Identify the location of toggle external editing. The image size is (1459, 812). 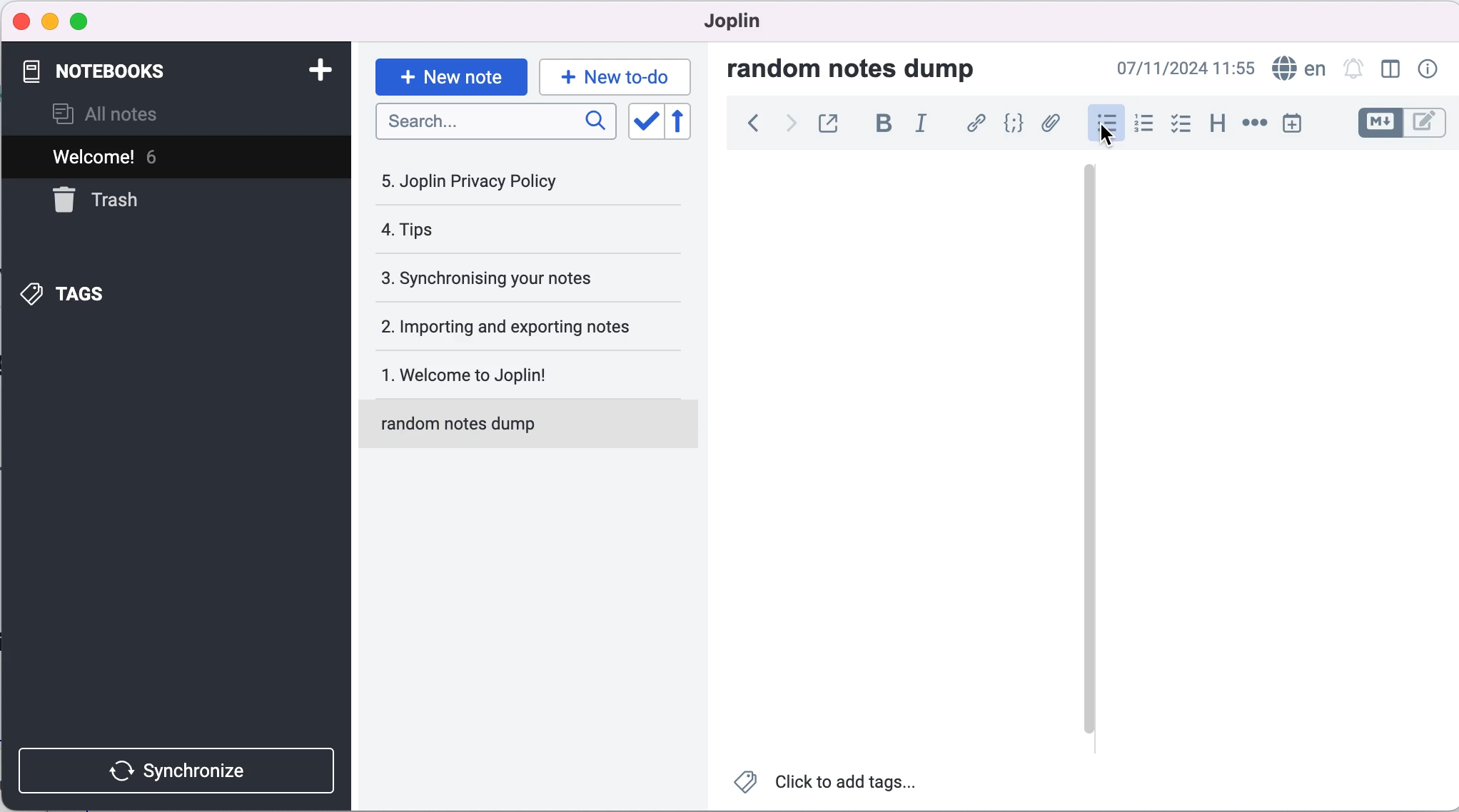
(828, 125).